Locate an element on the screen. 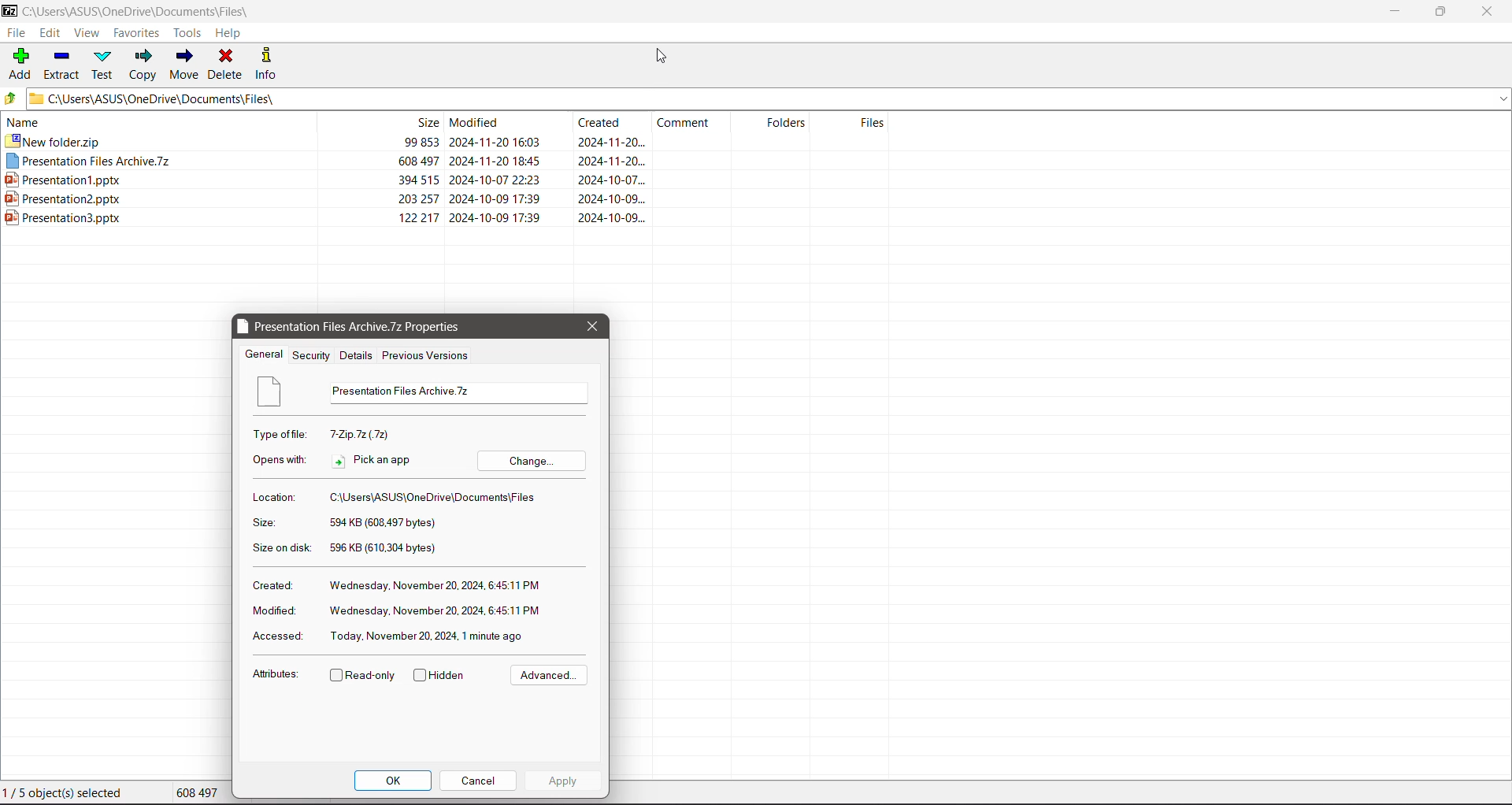  Presentation ries archive./z Uo 43/7 2UZ24-11-2U 1640 2UZ4-11-20... is located at coordinates (324, 161).